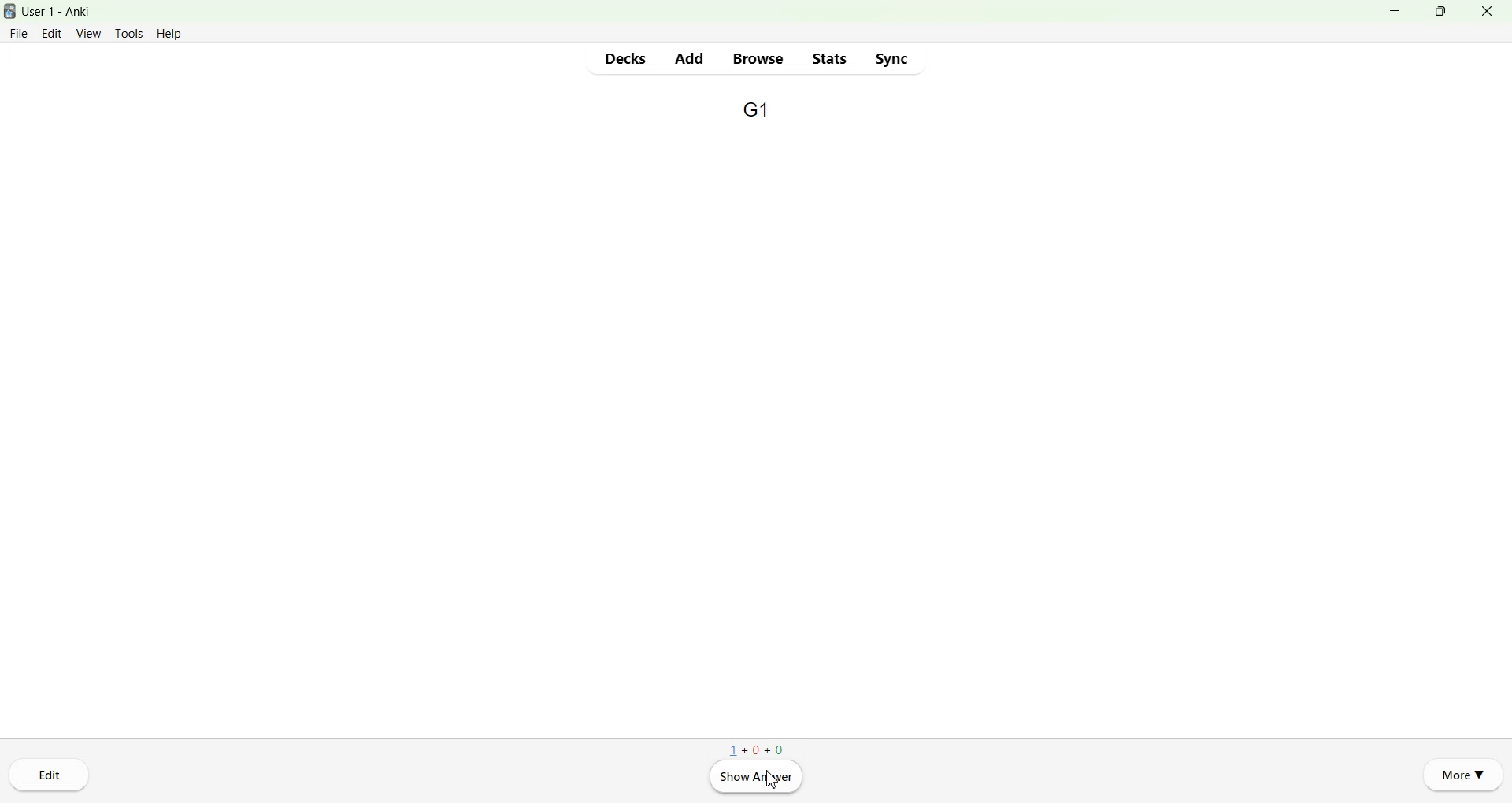 The height and width of the screenshot is (803, 1512). Describe the element at coordinates (19, 32) in the screenshot. I see `File` at that location.